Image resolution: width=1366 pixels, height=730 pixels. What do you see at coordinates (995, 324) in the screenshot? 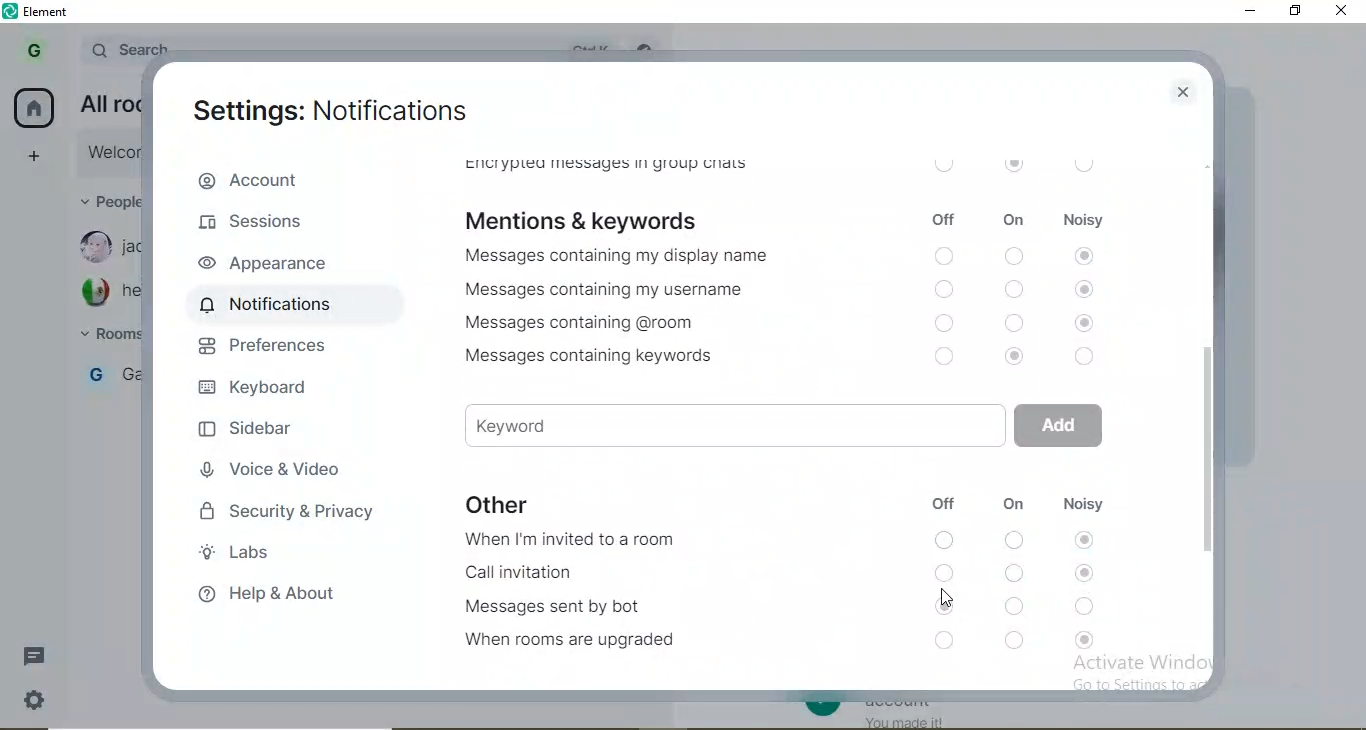
I see `switch off` at bounding box center [995, 324].